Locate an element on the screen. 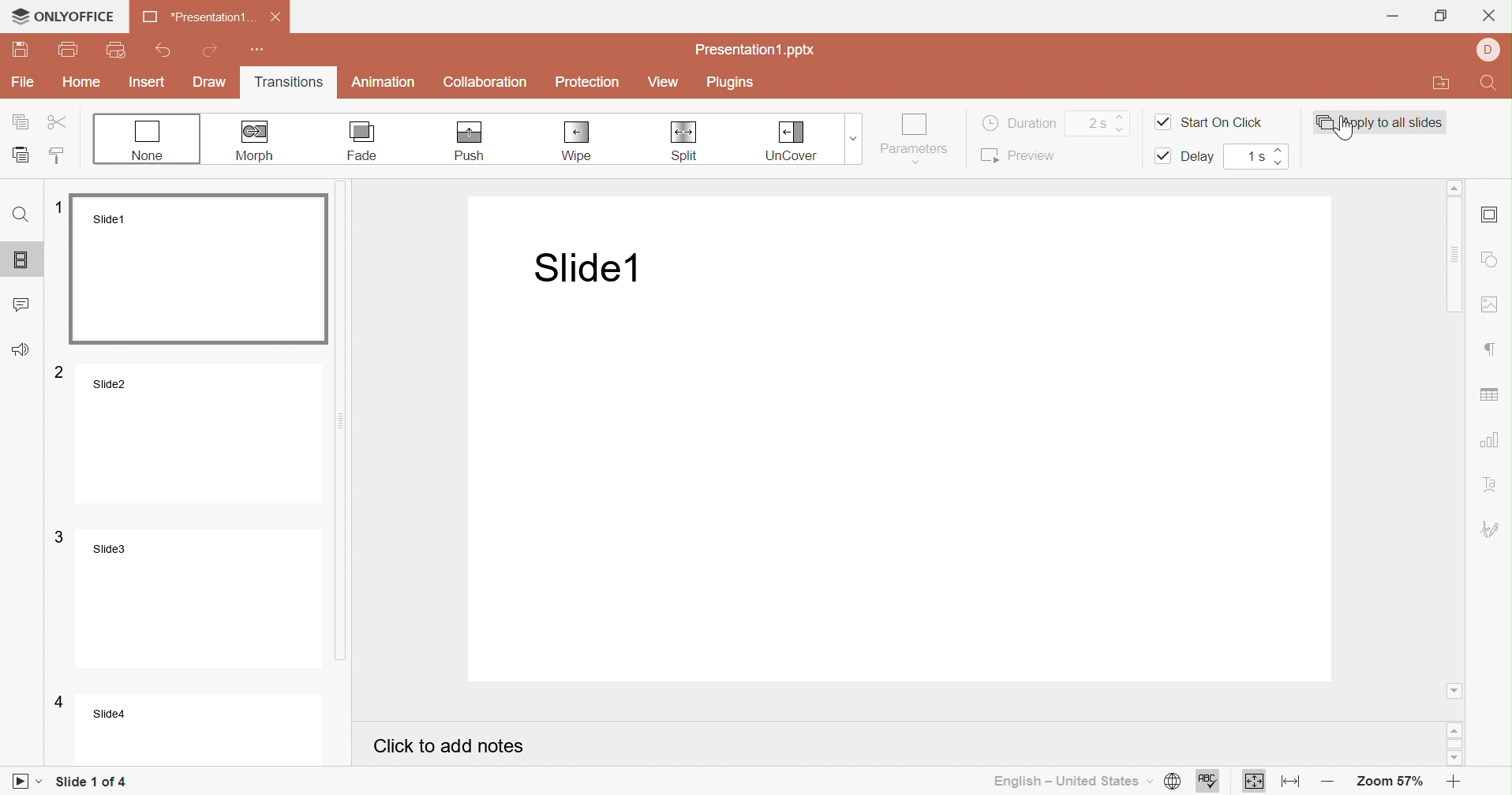  Scroll down is located at coordinates (1456, 760).